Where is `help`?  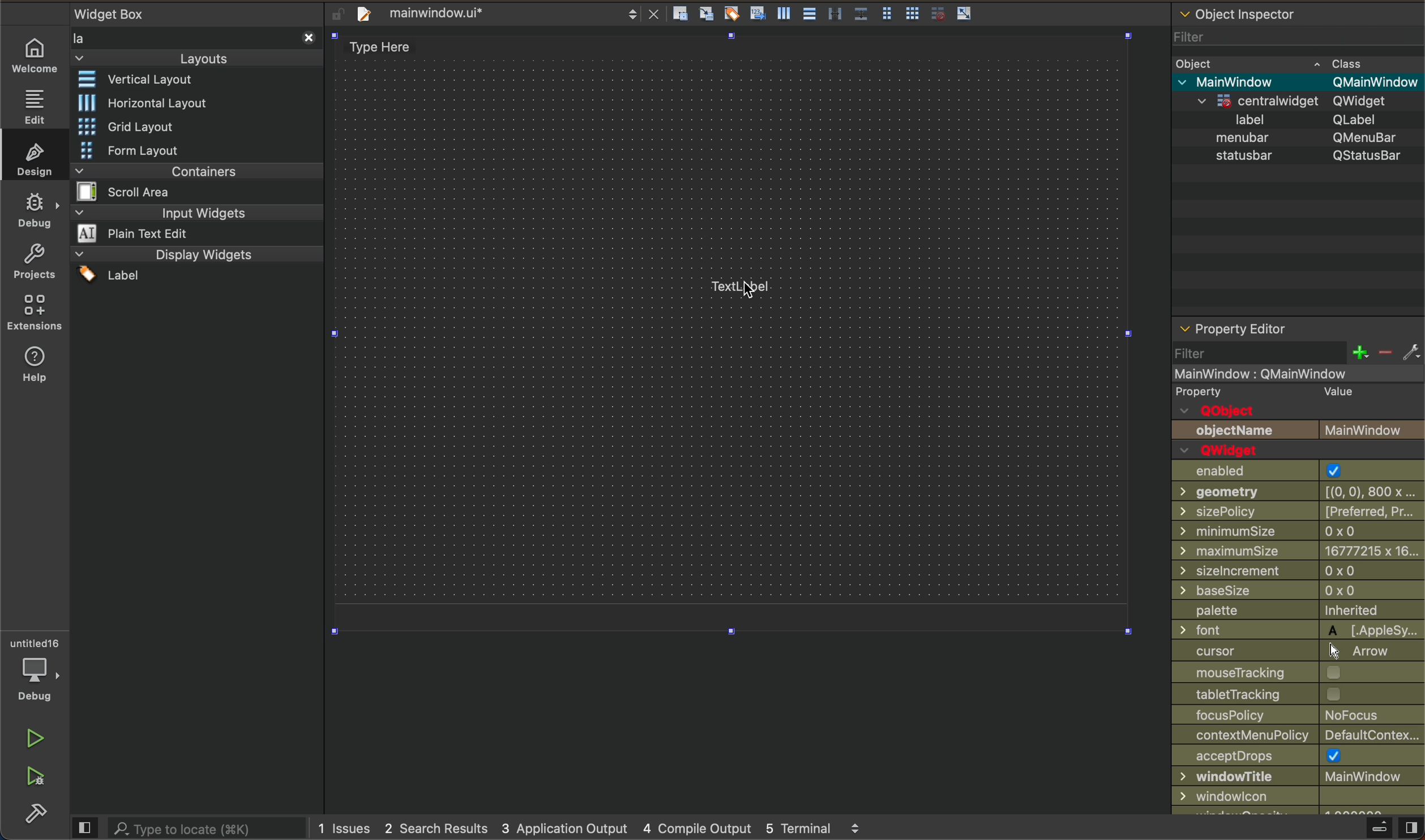
help is located at coordinates (35, 367).